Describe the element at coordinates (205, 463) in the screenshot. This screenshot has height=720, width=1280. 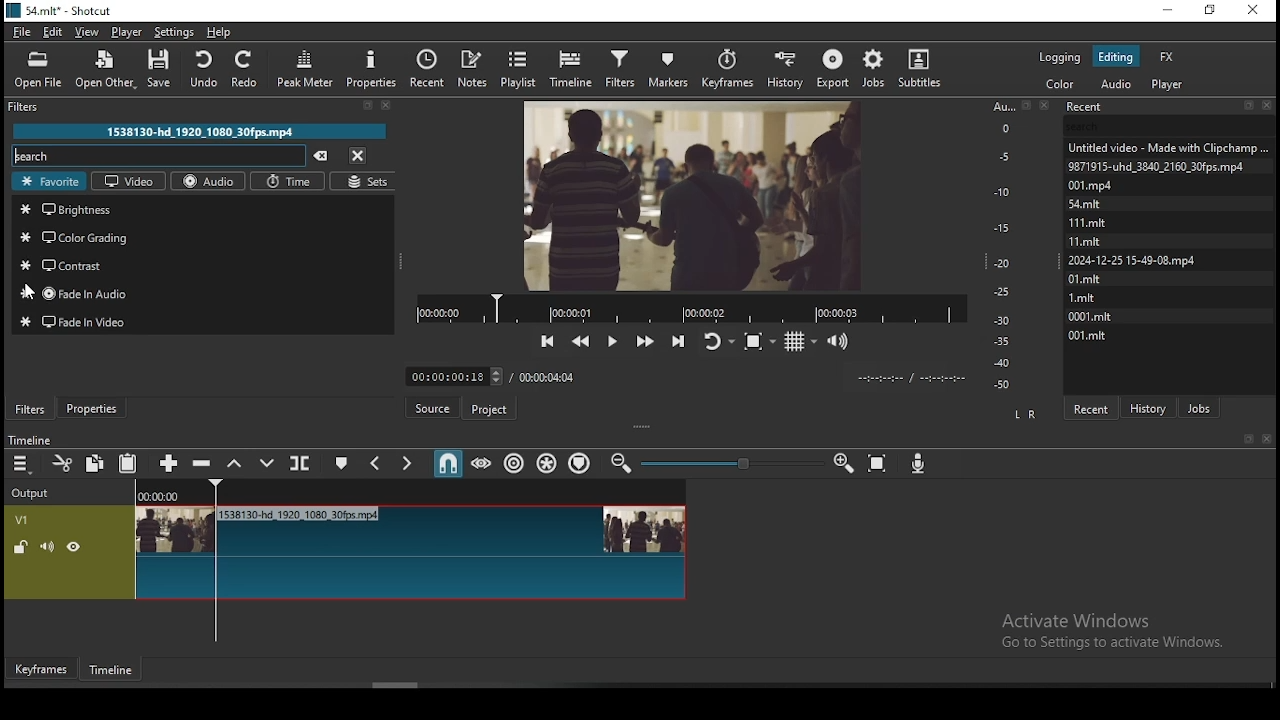
I see `ripple delete` at that location.